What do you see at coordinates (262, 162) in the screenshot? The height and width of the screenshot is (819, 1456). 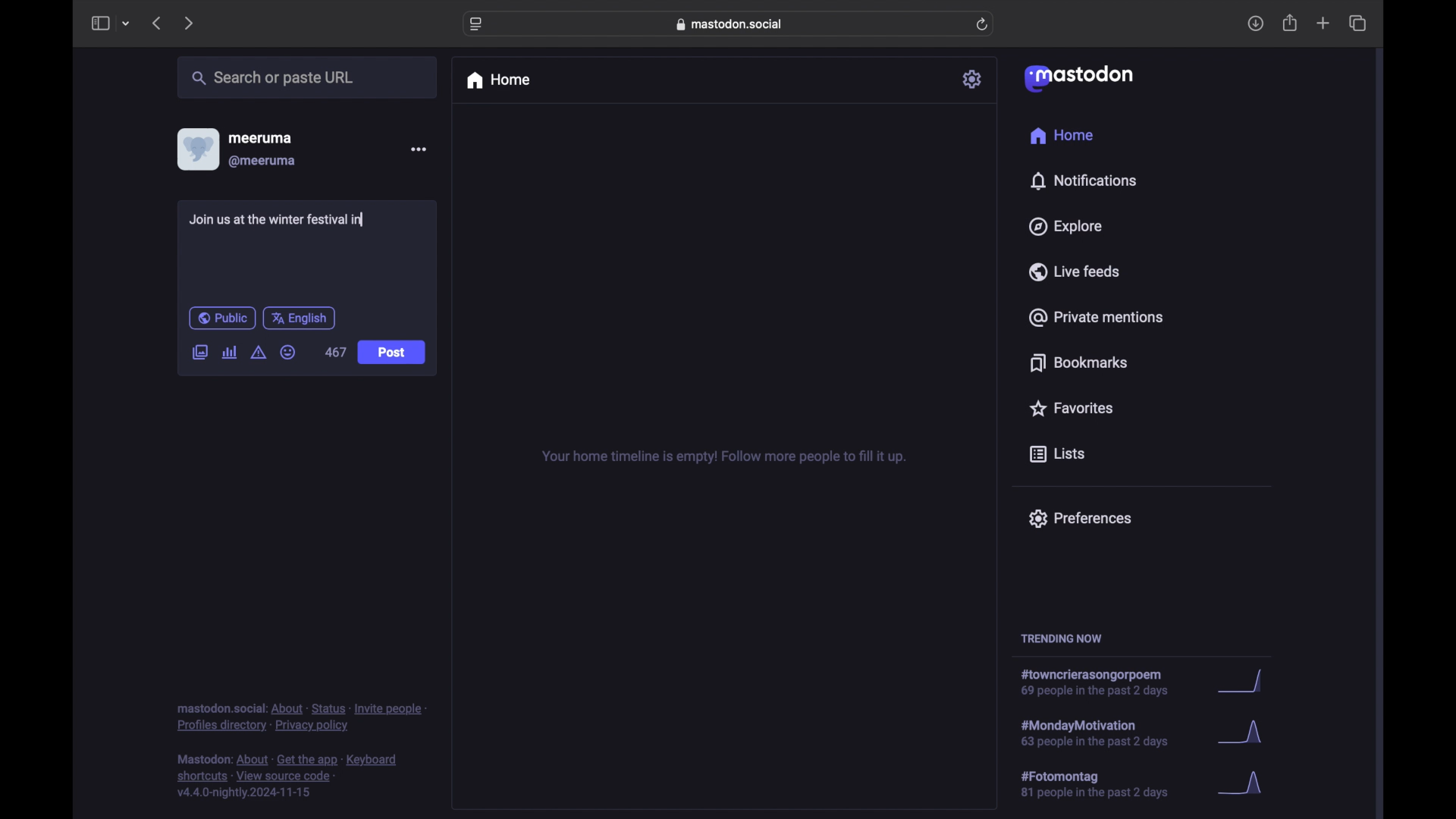 I see `@meeruma` at bounding box center [262, 162].